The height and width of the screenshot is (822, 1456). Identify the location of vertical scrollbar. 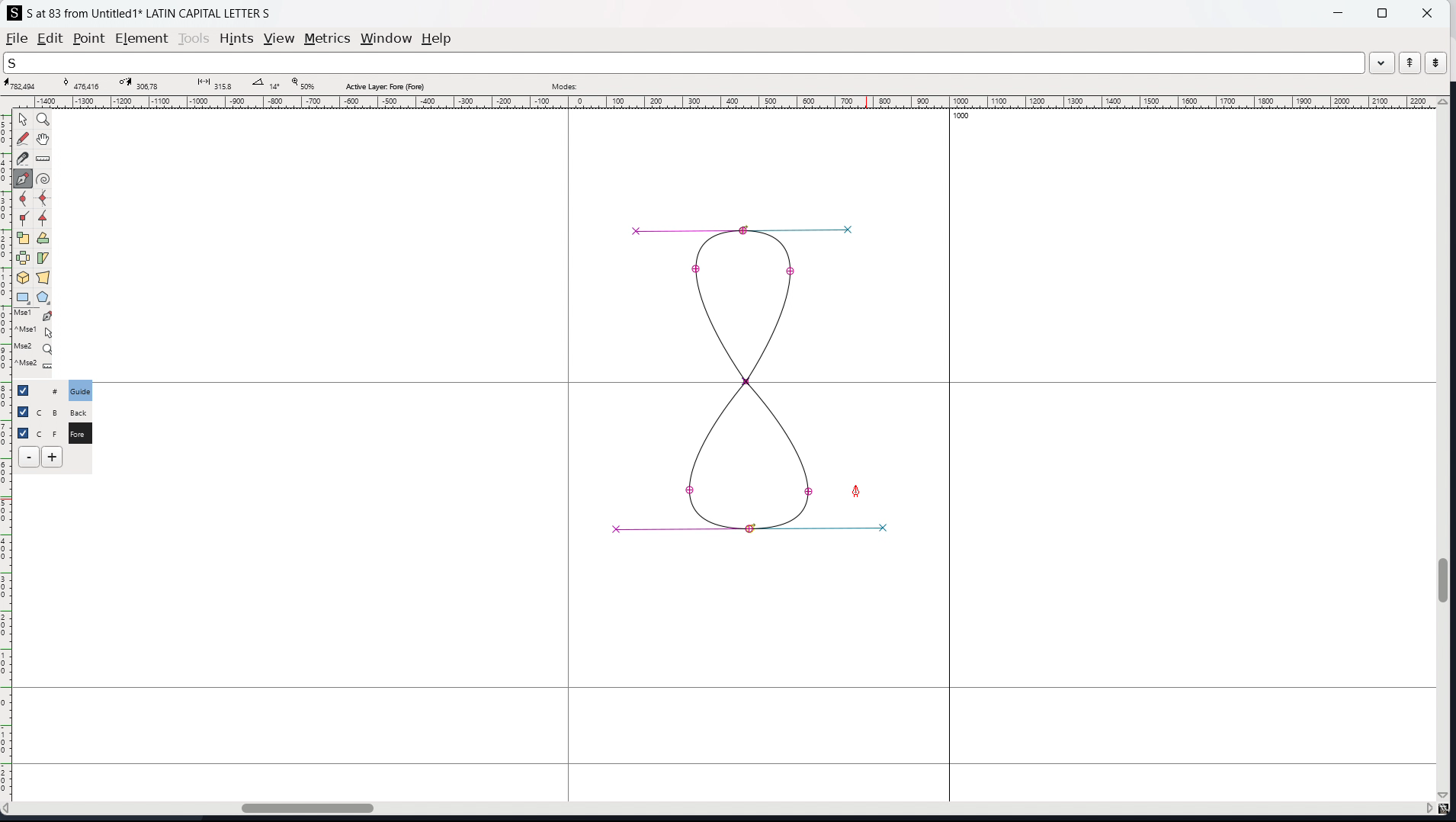
(1446, 450).